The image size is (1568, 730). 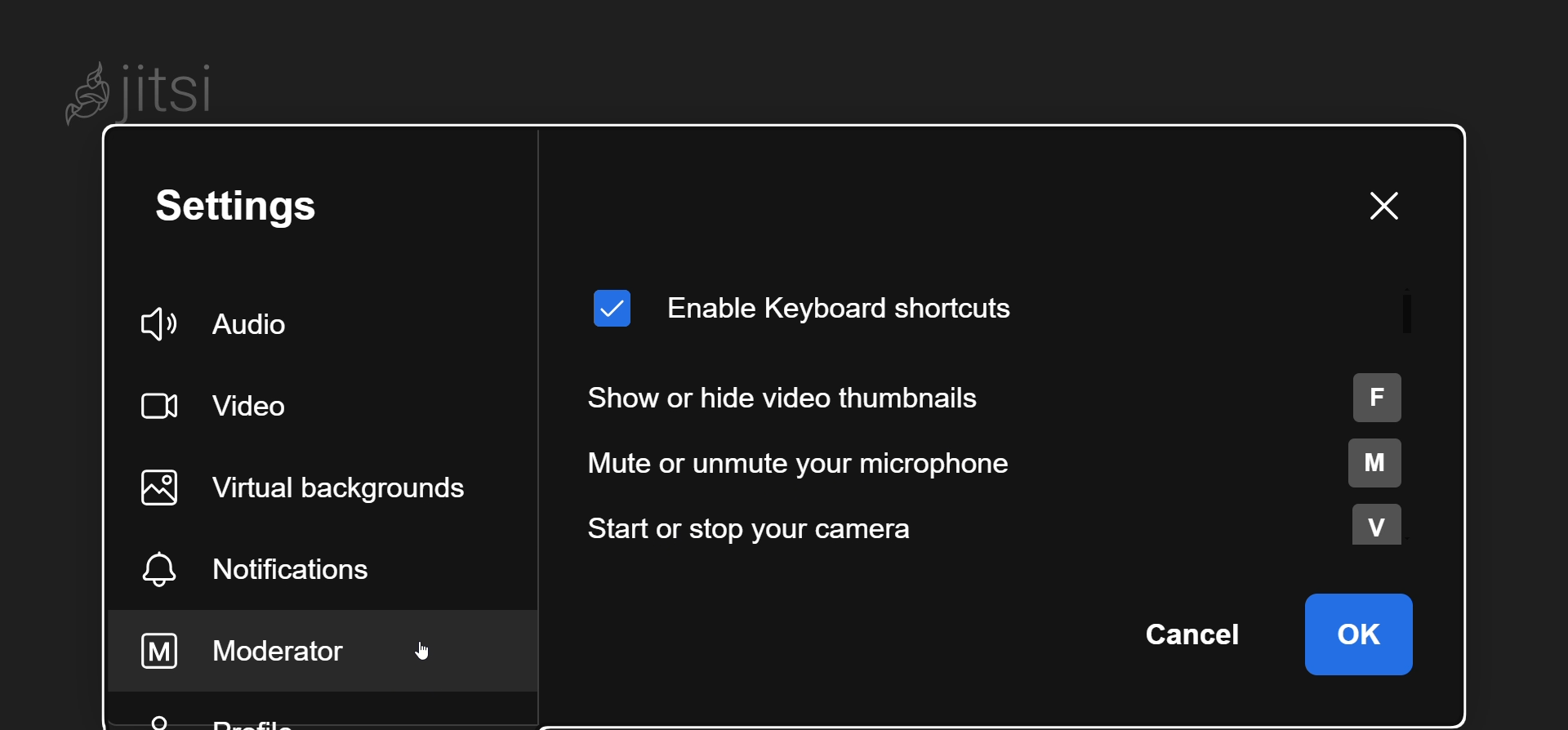 What do you see at coordinates (1395, 202) in the screenshot?
I see `close window` at bounding box center [1395, 202].